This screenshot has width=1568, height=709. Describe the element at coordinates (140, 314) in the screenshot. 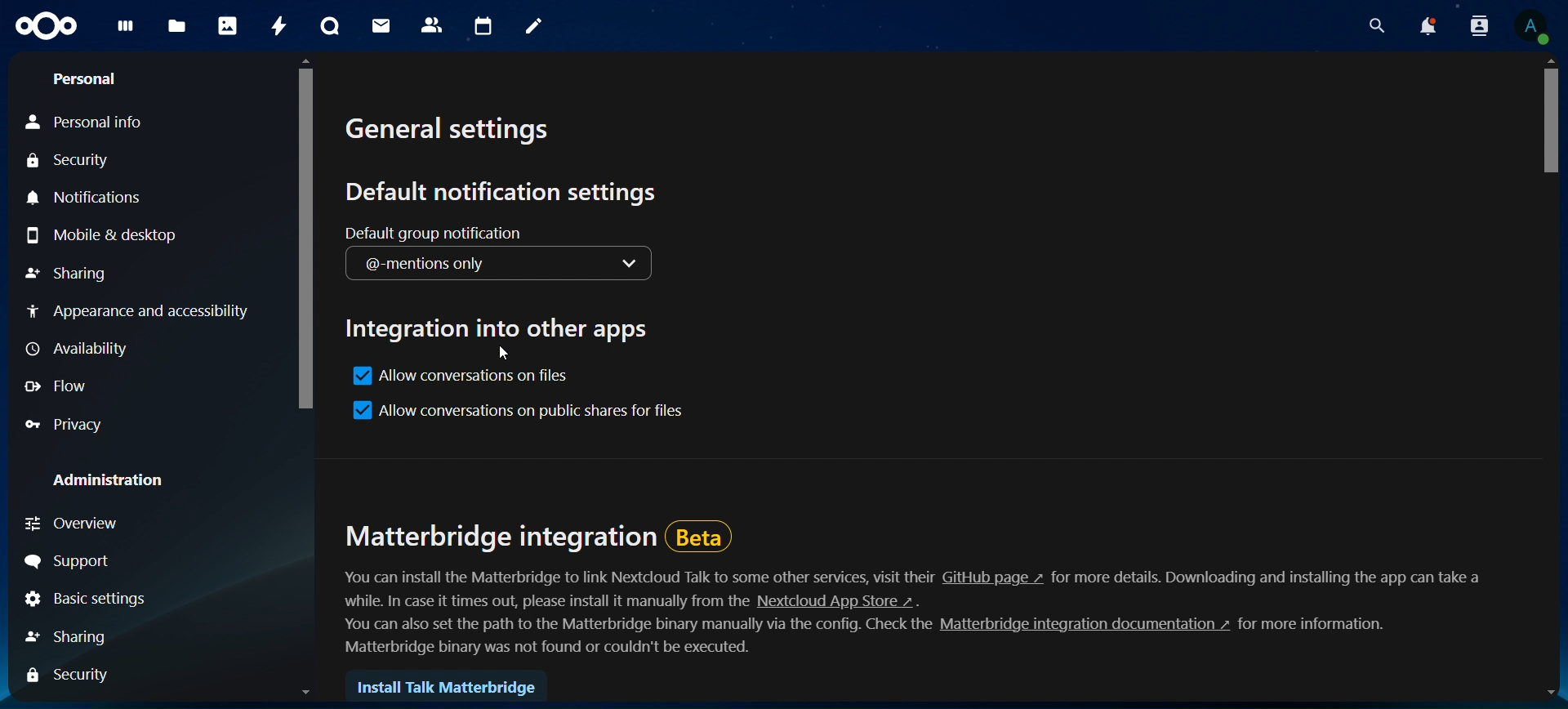

I see `appearance and accessibilty` at that location.